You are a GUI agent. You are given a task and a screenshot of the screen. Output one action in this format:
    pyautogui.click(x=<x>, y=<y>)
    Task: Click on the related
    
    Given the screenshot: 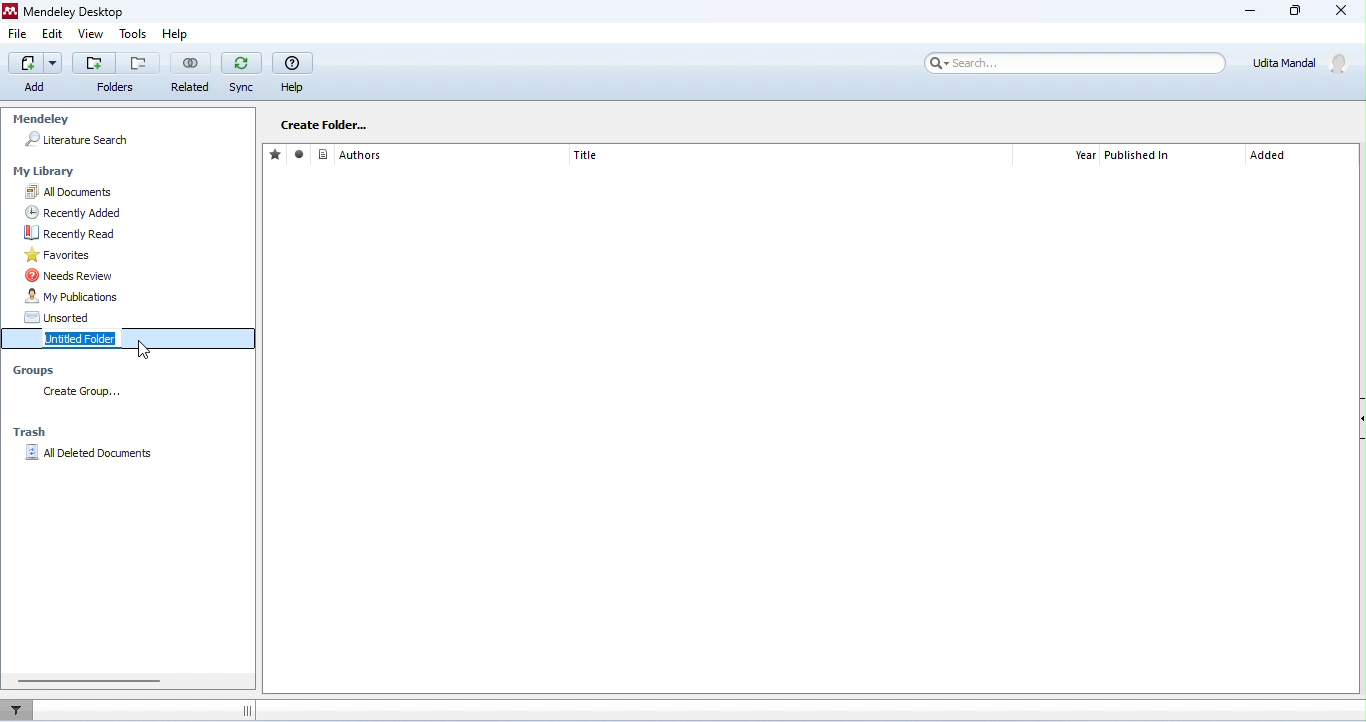 What is the action you would take?
    pyautogui.click(x=190, y=72)
    